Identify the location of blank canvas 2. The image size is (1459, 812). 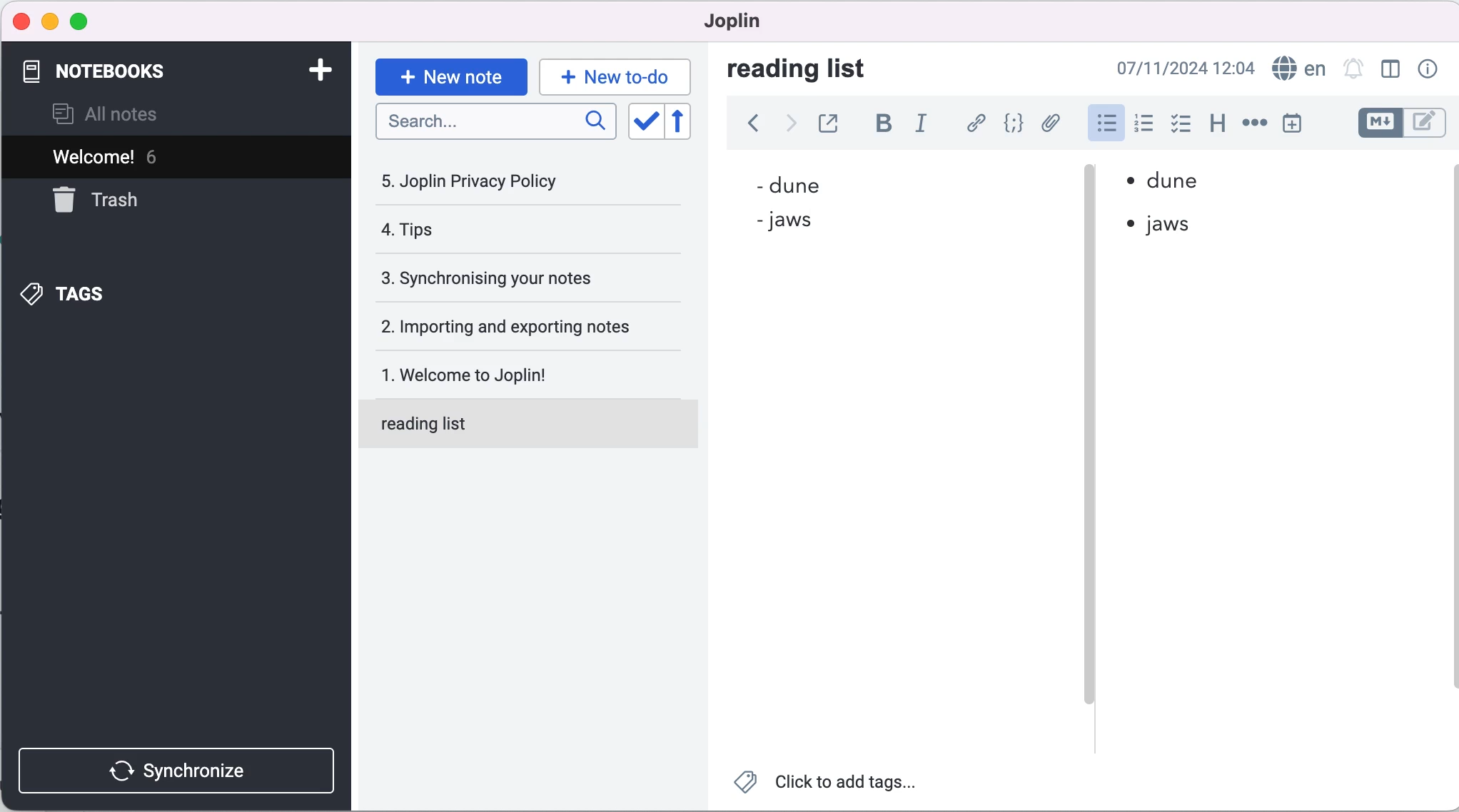
(1276, 510).